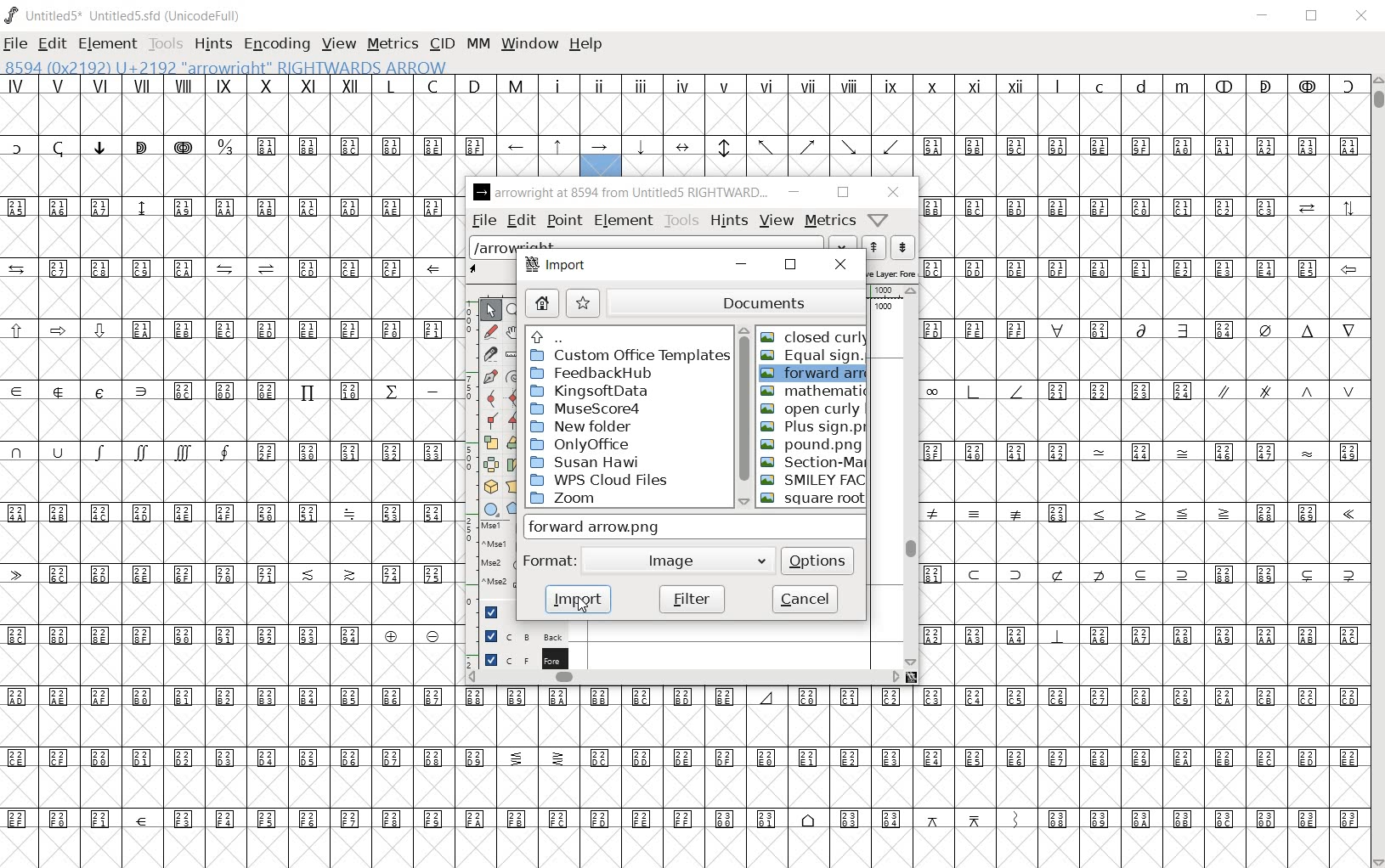 The height and width of the screenshot is (868, 1385). I want to click on HELP, so click(590, 45).